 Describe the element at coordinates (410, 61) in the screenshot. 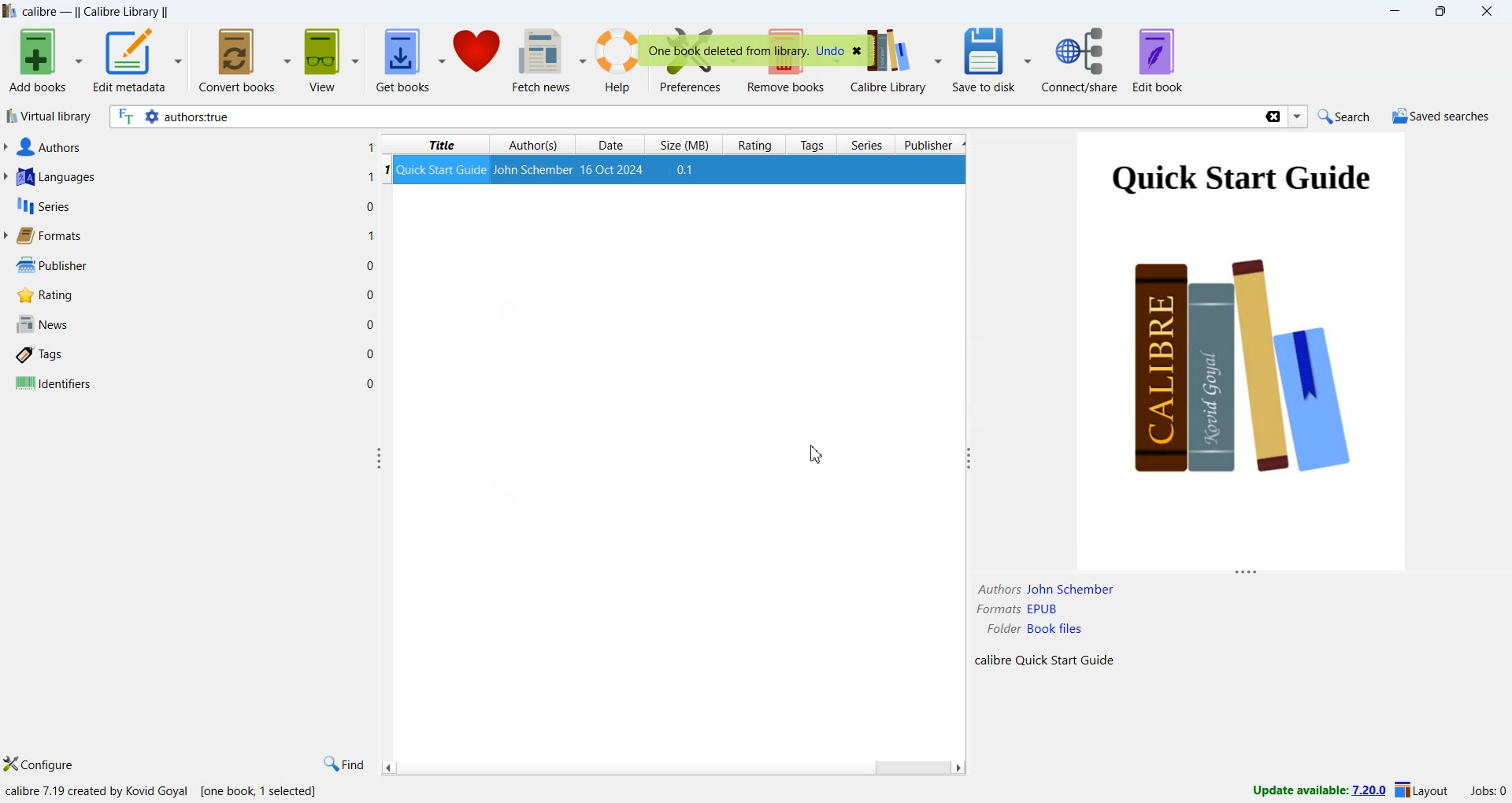

I see `get books` at that location.